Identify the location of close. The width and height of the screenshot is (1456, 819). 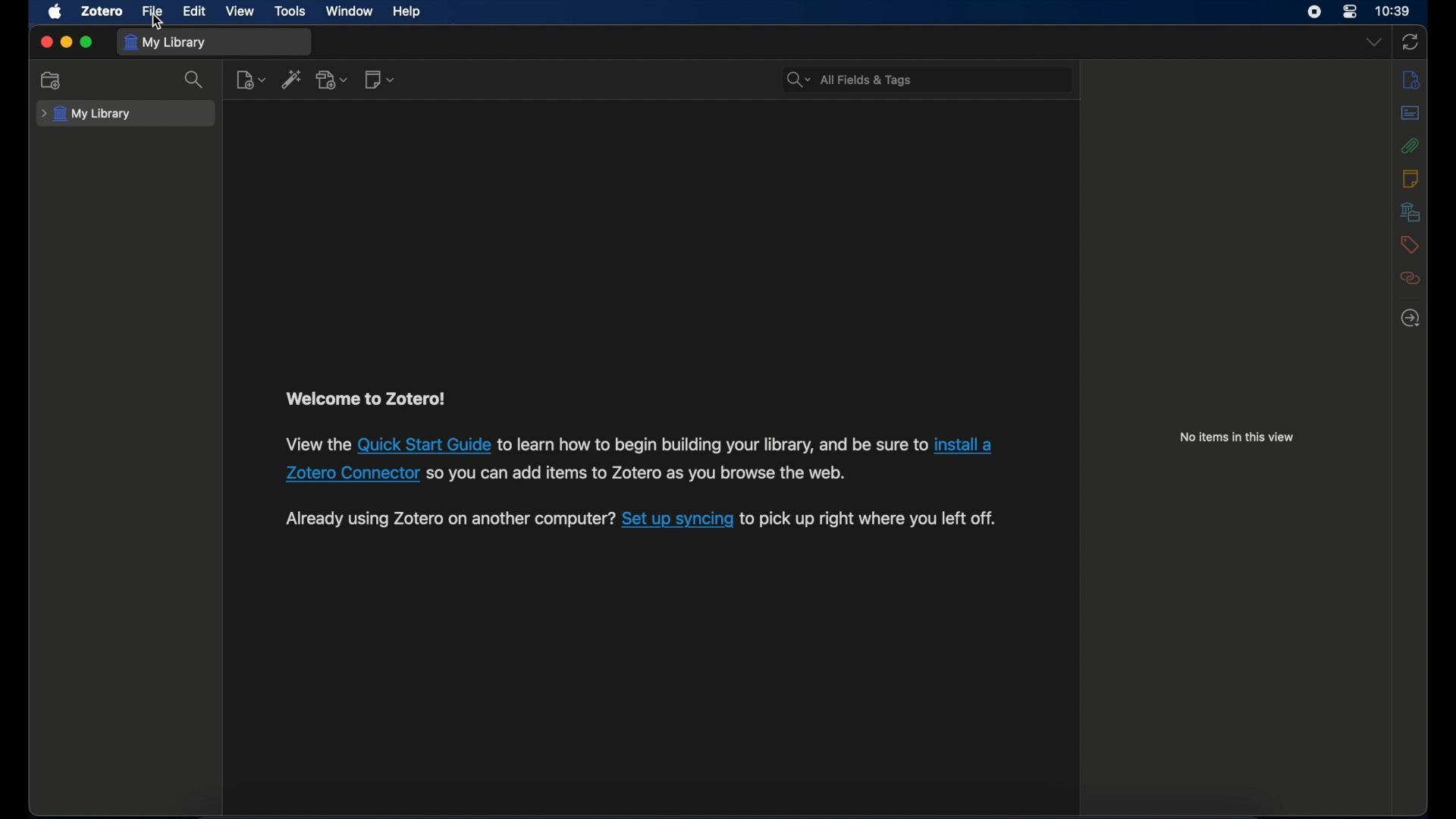
(45, 42).